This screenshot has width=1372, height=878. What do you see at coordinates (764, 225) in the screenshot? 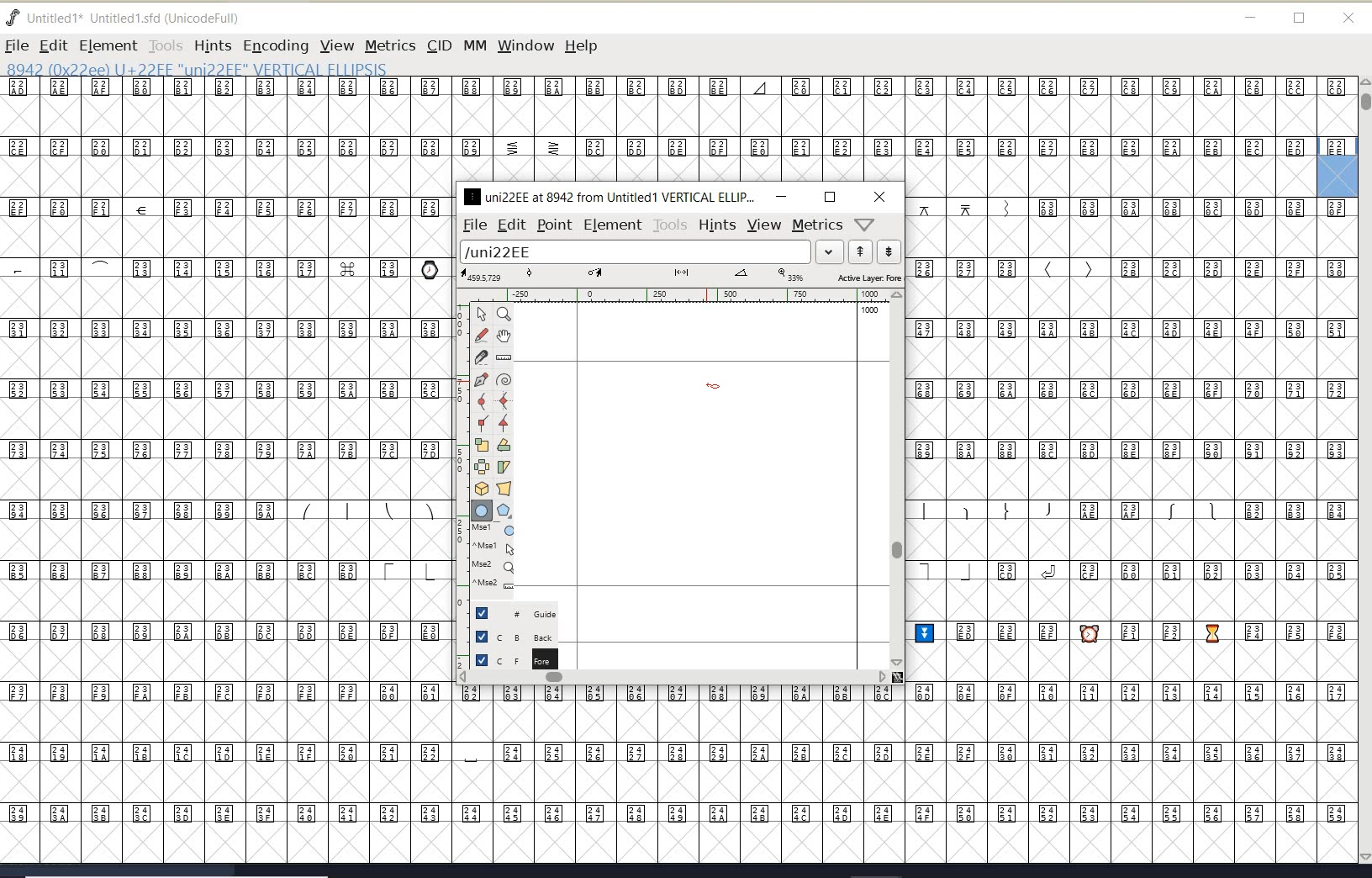
I see `view` at bounding box center [764, 225].